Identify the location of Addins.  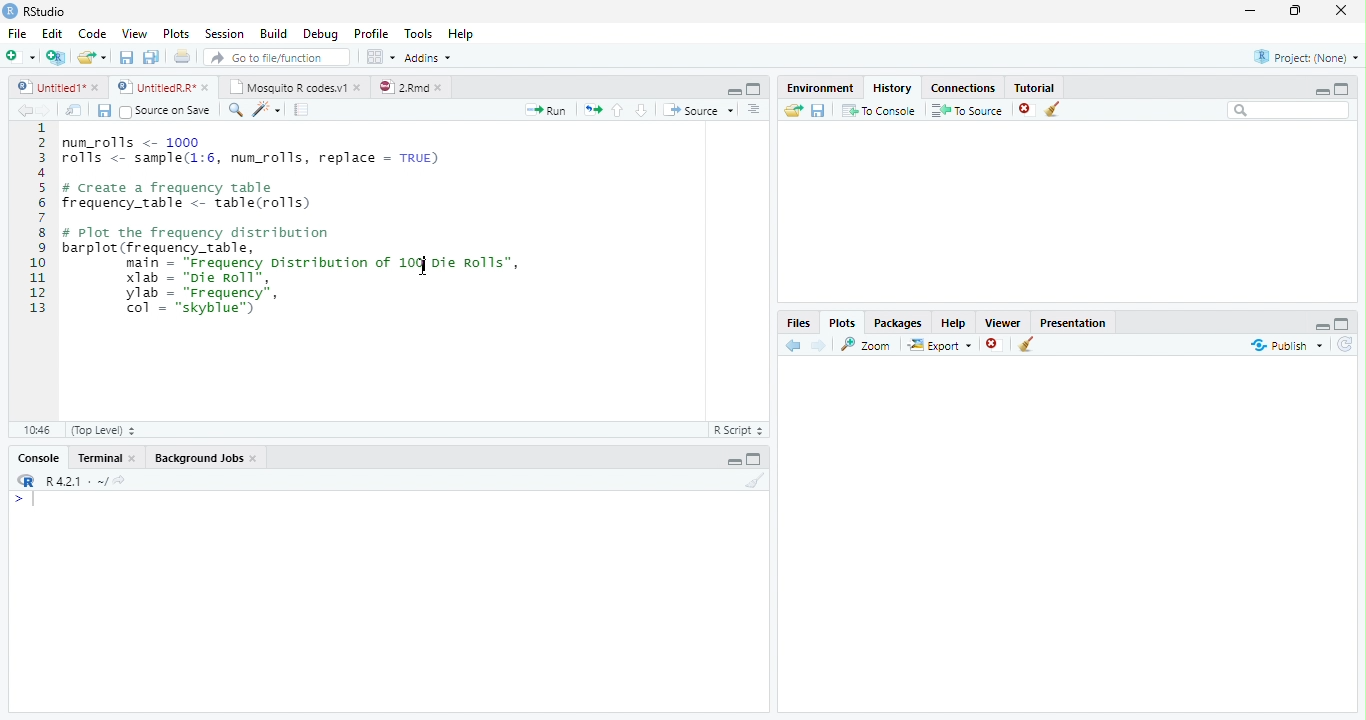
(431, 56).